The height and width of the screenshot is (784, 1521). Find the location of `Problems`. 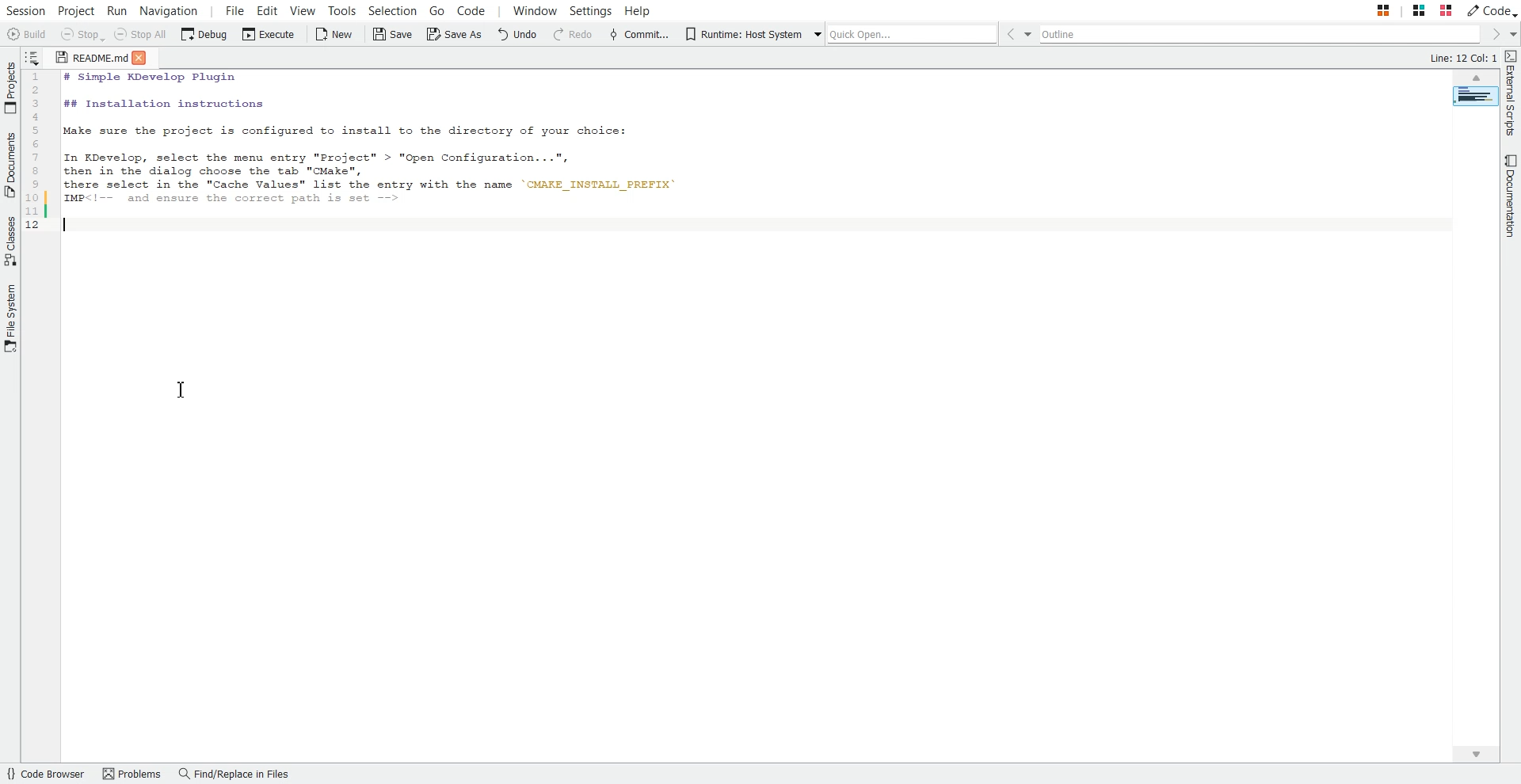

Problems is located at coordinates (132, 774).